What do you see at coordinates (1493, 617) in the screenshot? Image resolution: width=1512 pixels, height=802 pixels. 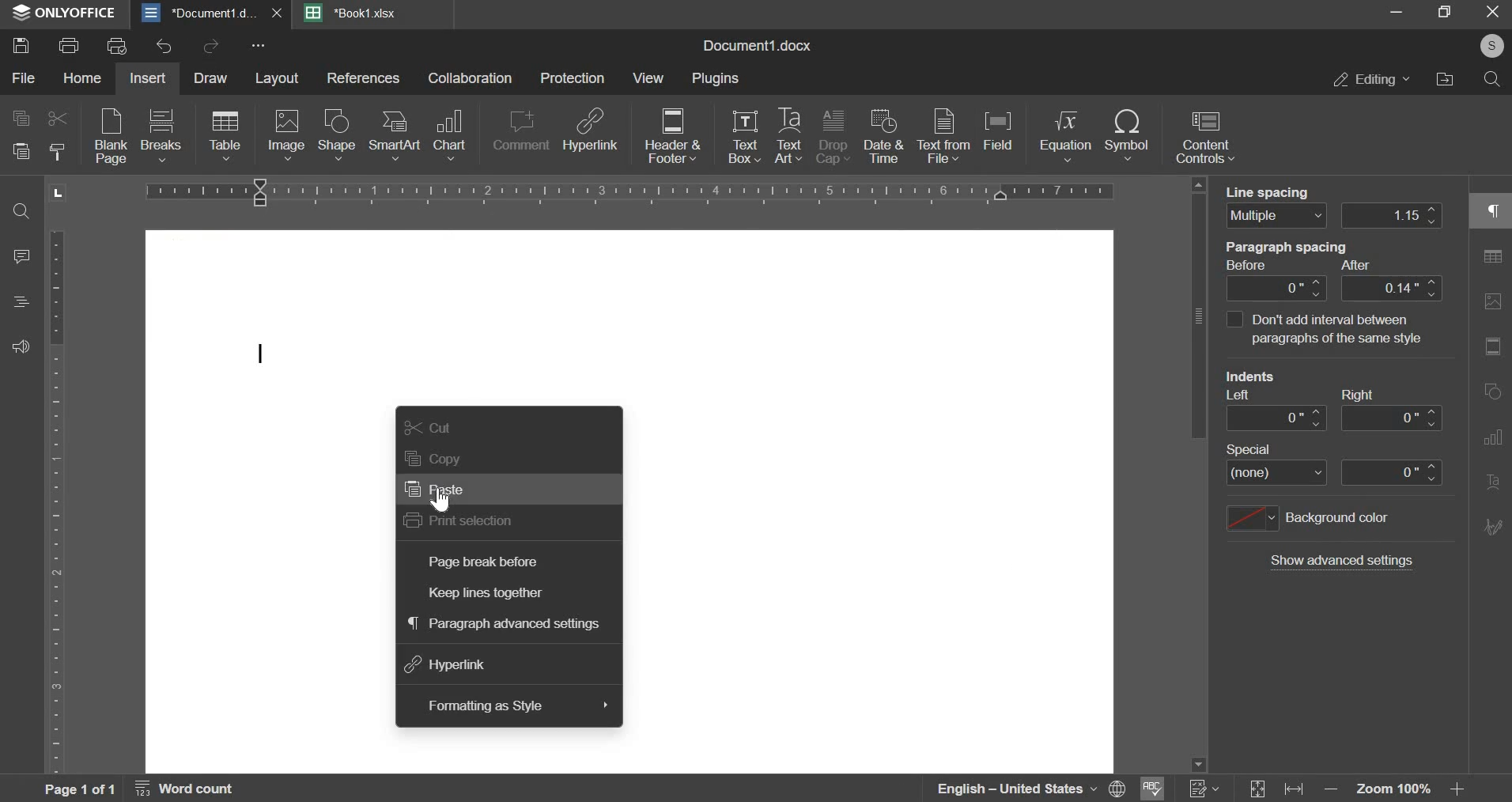 I see `Collaboration/Chat Tool` at bounding box center [1493, 617].